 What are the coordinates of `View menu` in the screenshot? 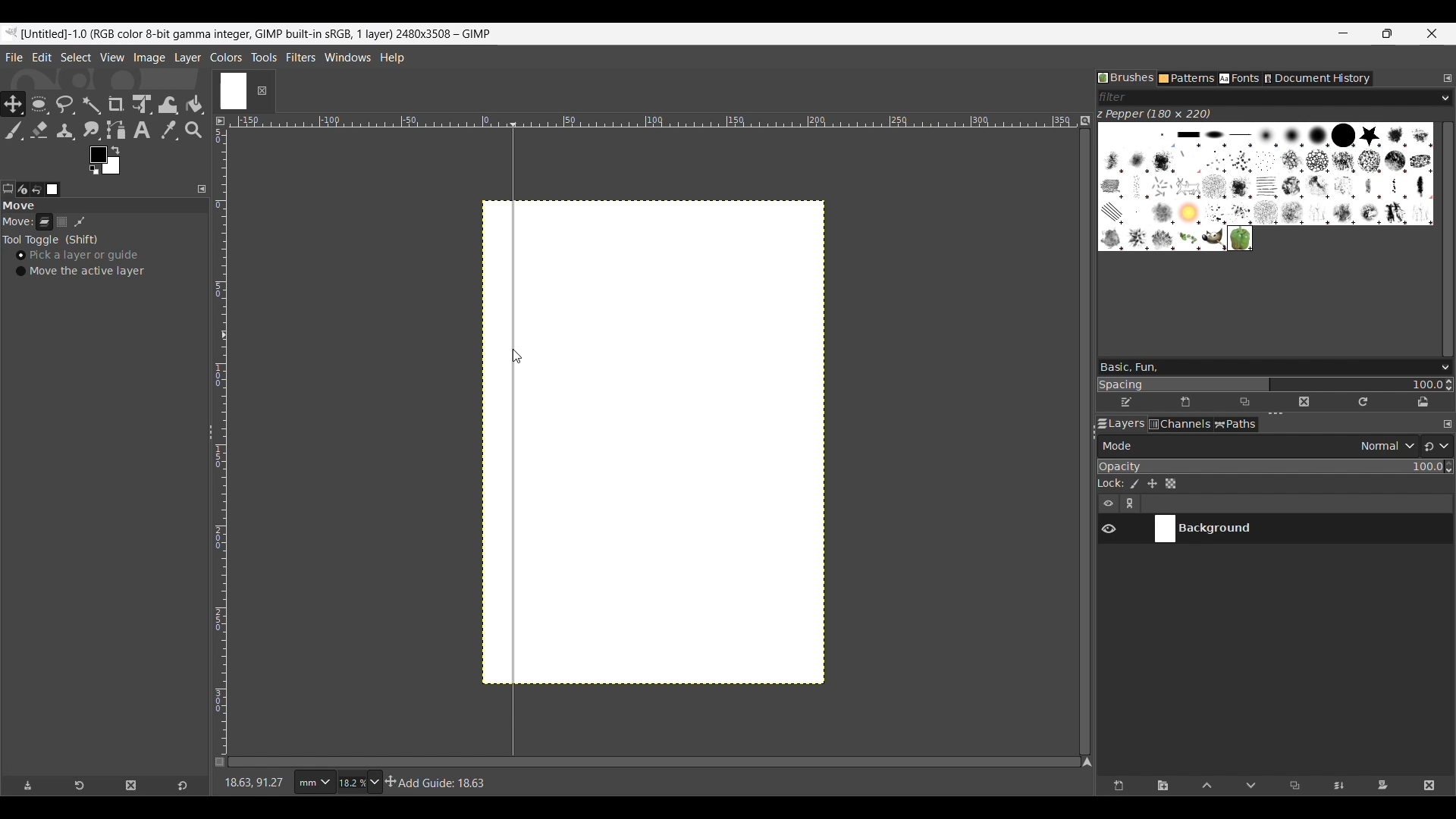 It's located at (111, 57).